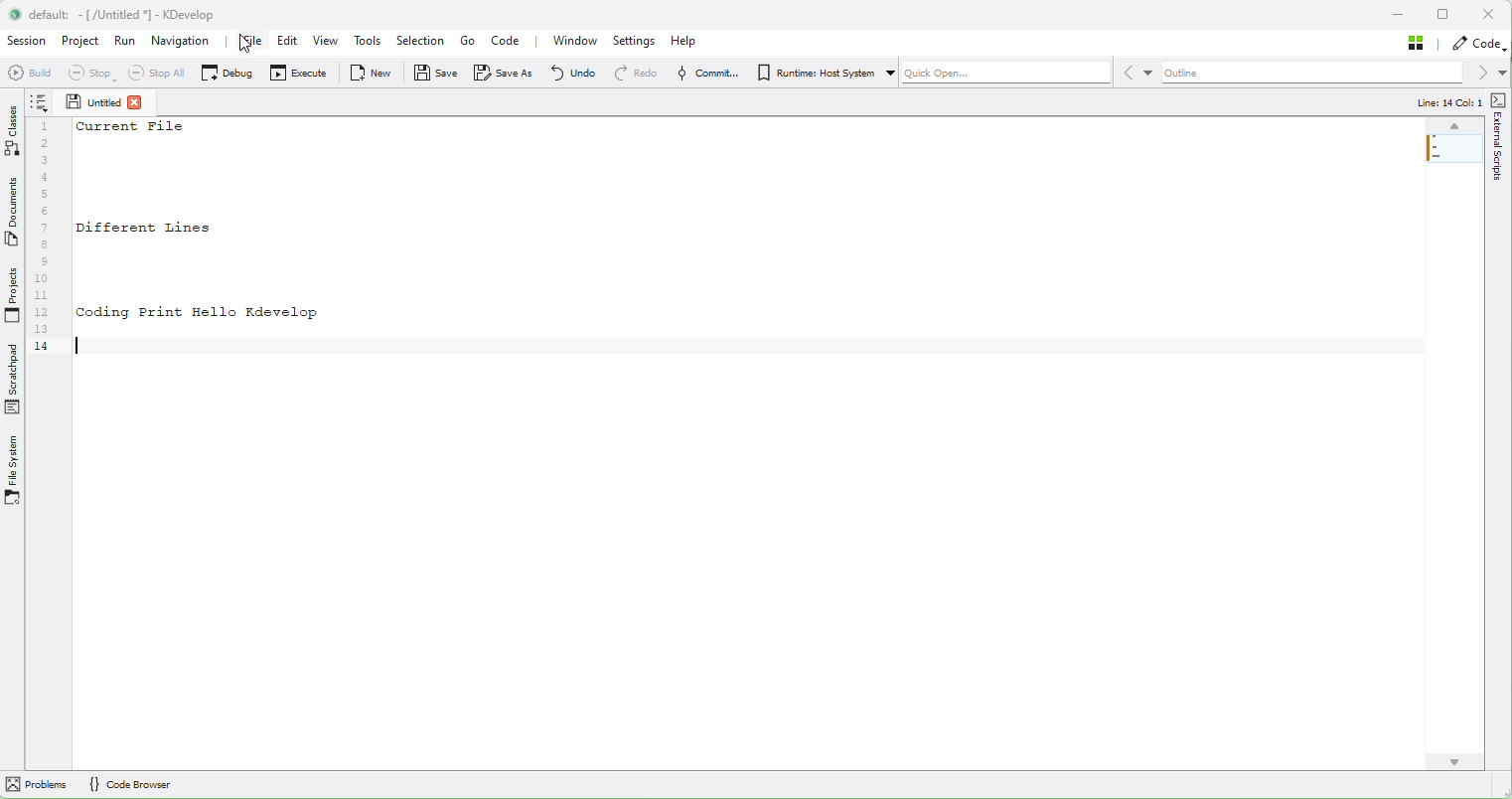 This screenshot has width=1512, height=799. What do you see at coordinates (1478, 45) in the screenshot?
I see `Code` at bounding box center [1478, 45].